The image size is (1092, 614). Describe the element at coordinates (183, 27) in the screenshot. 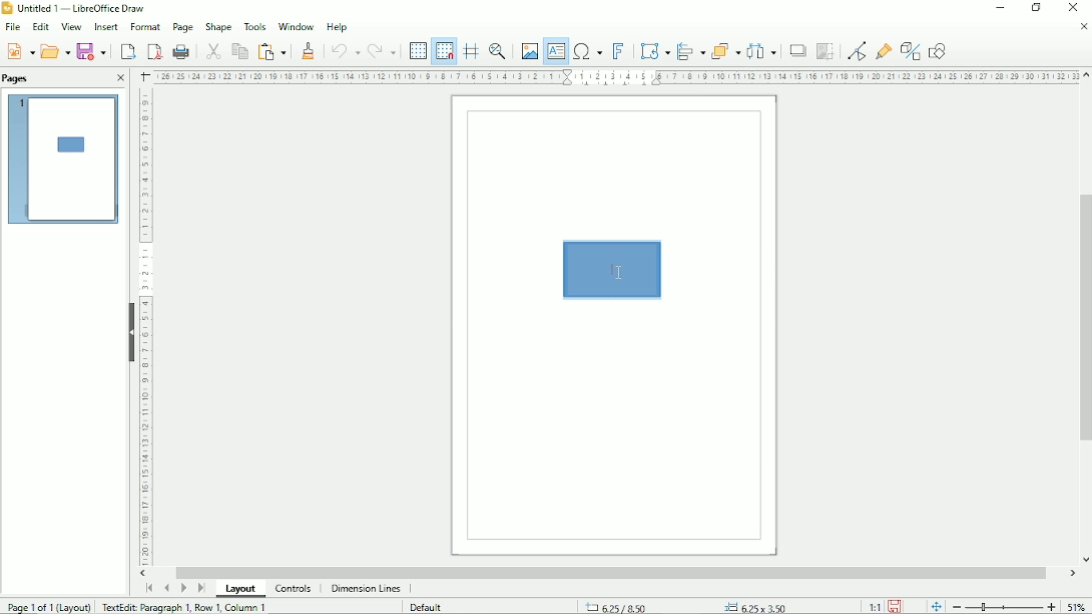

I see `Page` at that location.